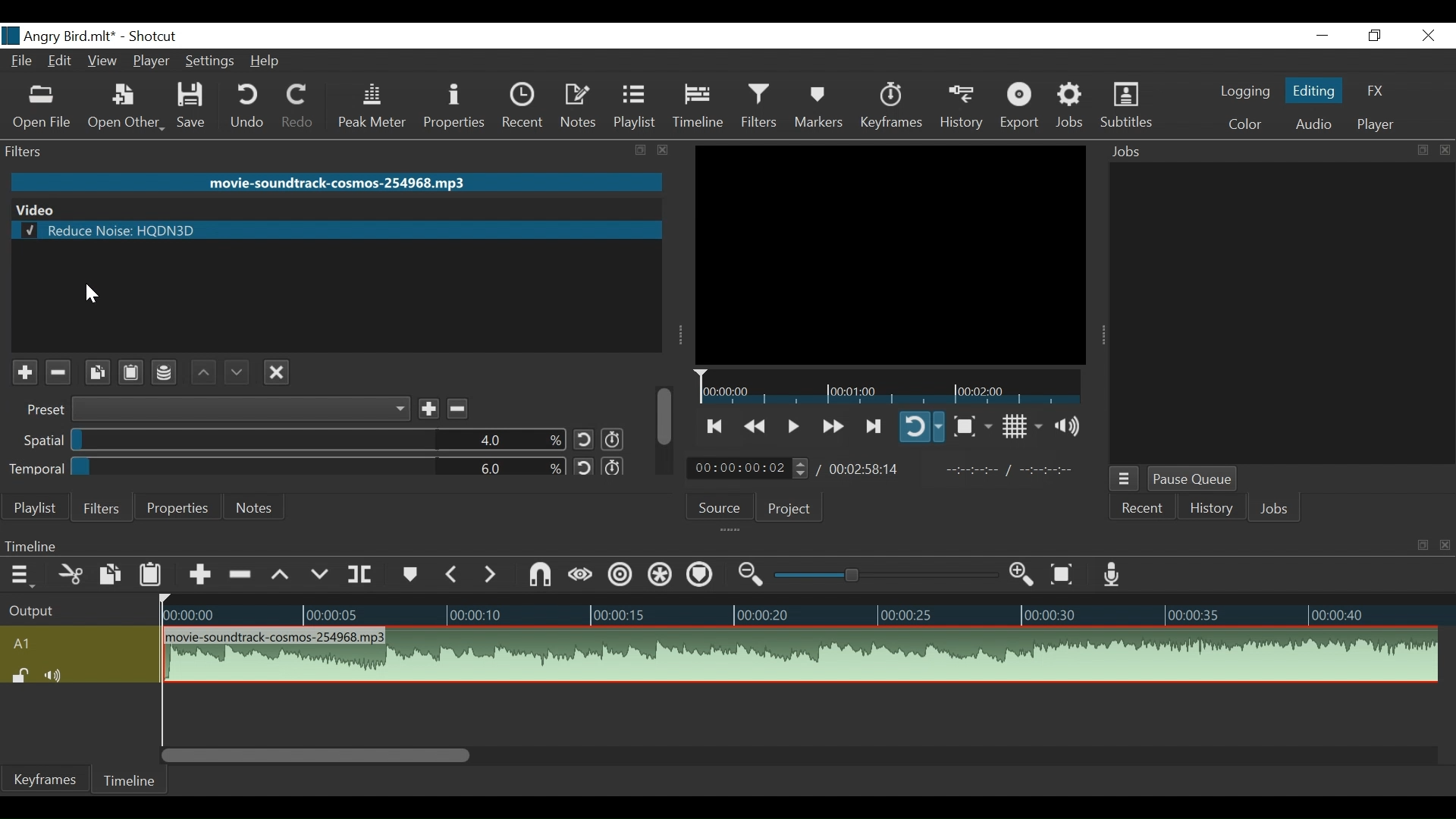 The width and height of the screenshot is (1456, 819). Describe the element at coordinates (1429, 36) in the screenshot. I see `Close` at that location.